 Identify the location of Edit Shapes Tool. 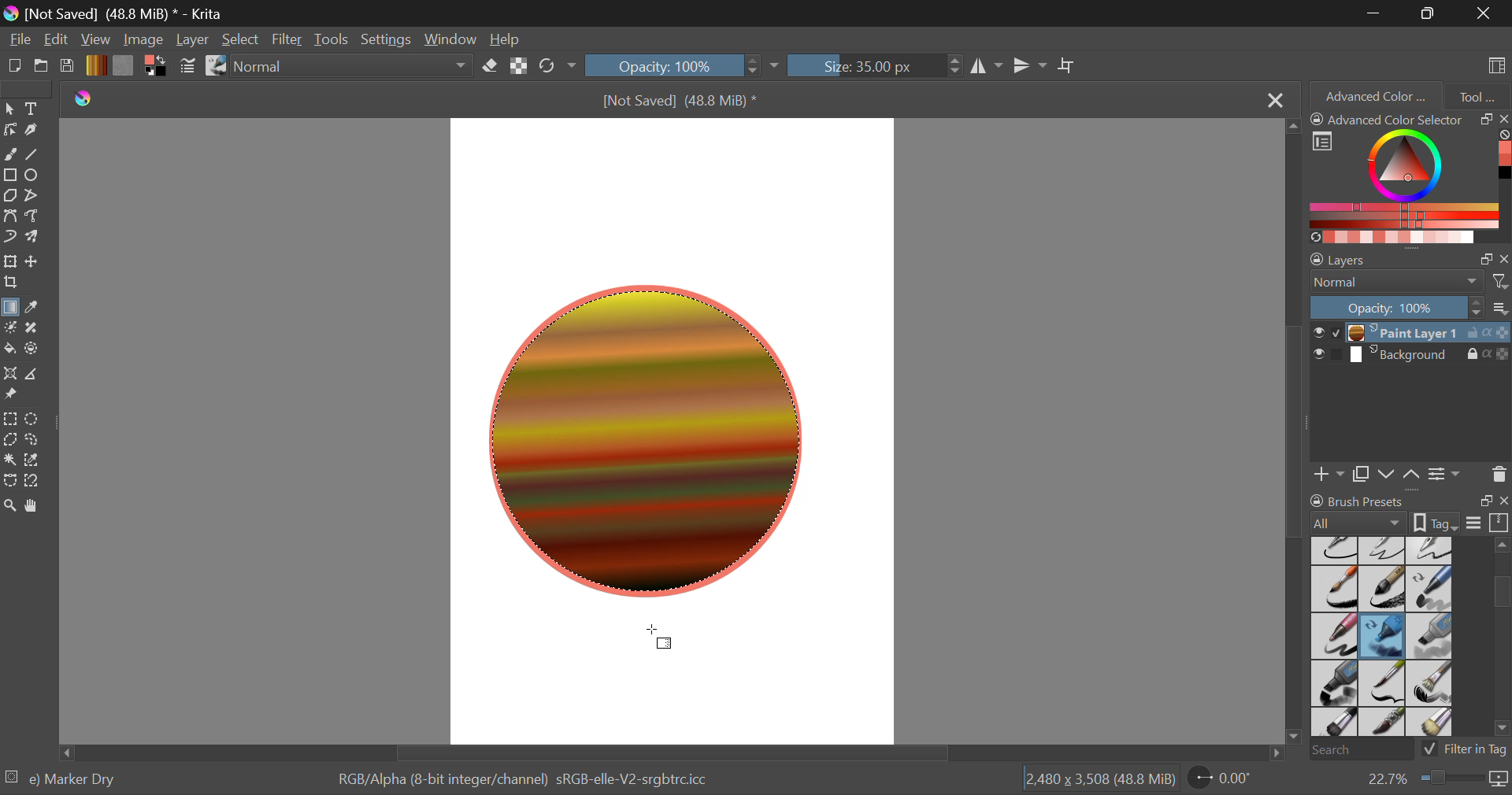
(9, 130).